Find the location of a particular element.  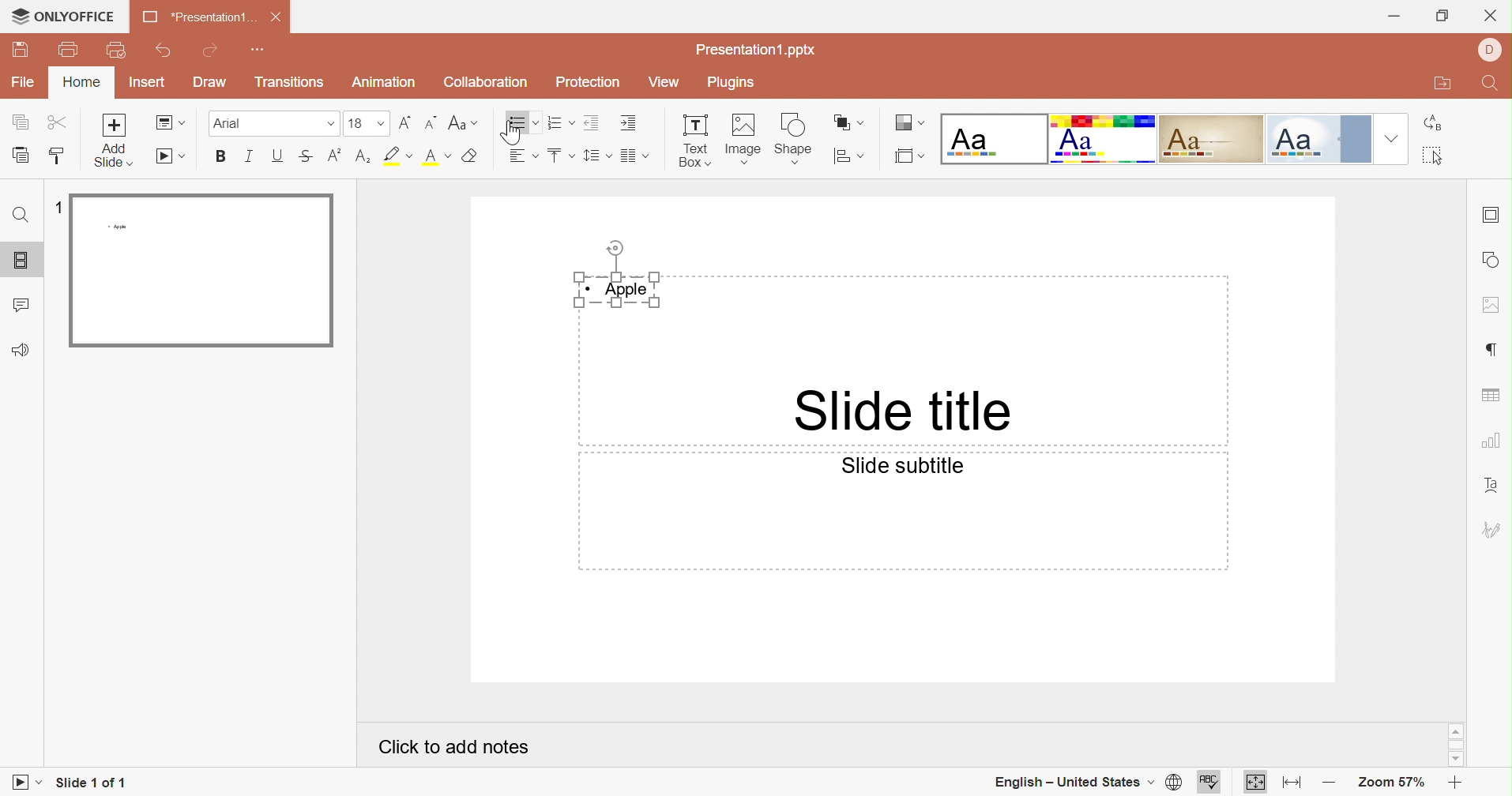

Minimize is located at coordinates (1399, 13).